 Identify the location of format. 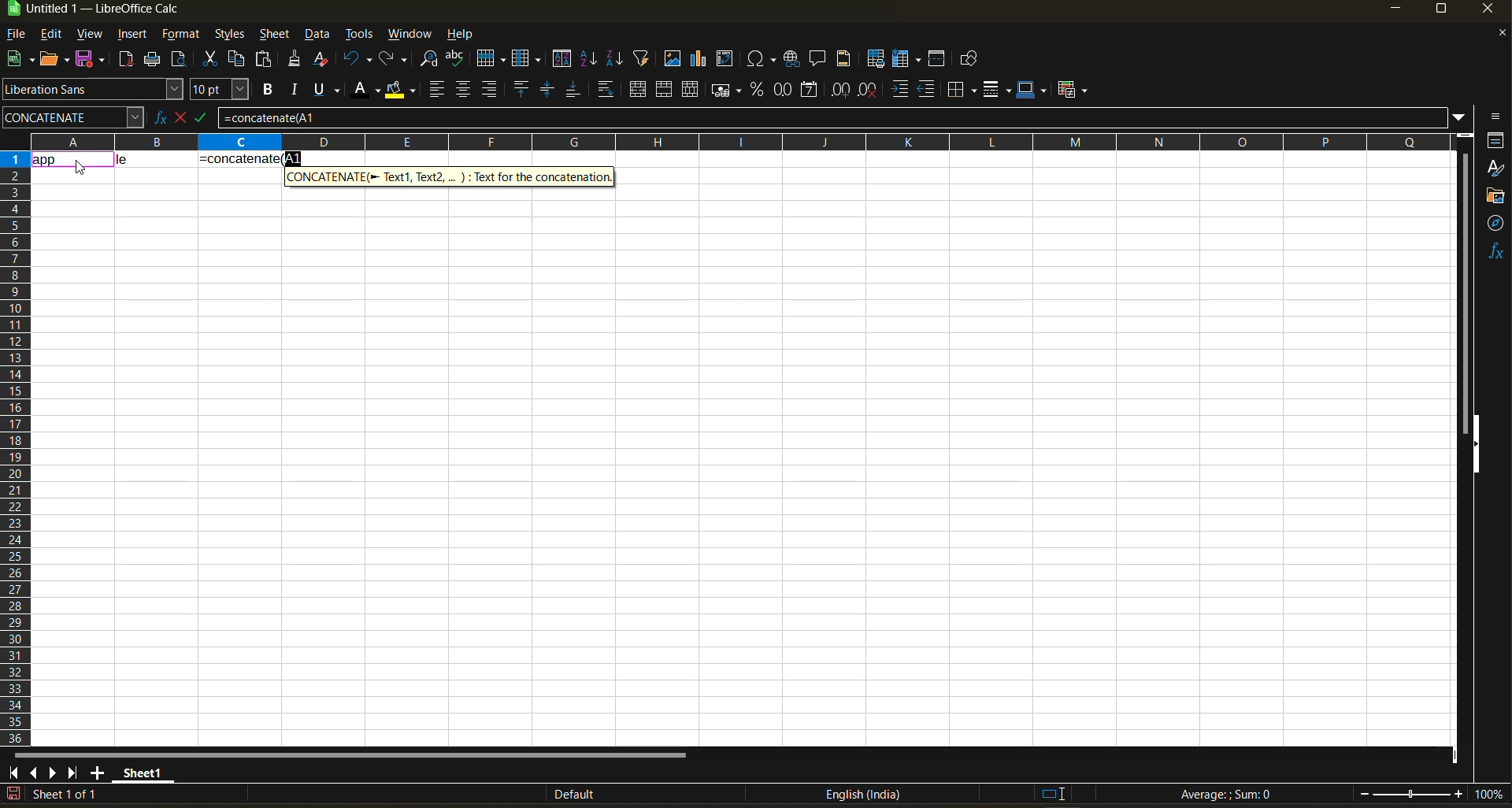
(182, 36).